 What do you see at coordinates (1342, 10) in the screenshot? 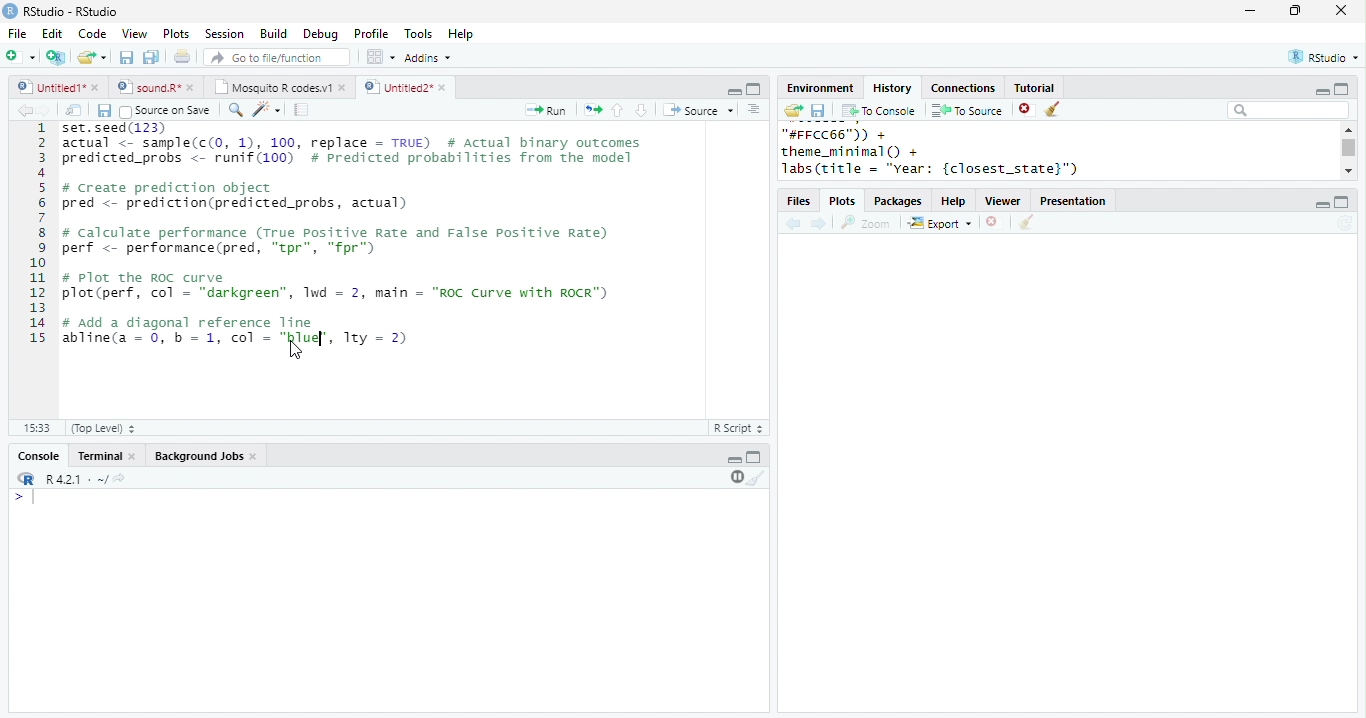
I see `close` at bounding box center [1342, 10].